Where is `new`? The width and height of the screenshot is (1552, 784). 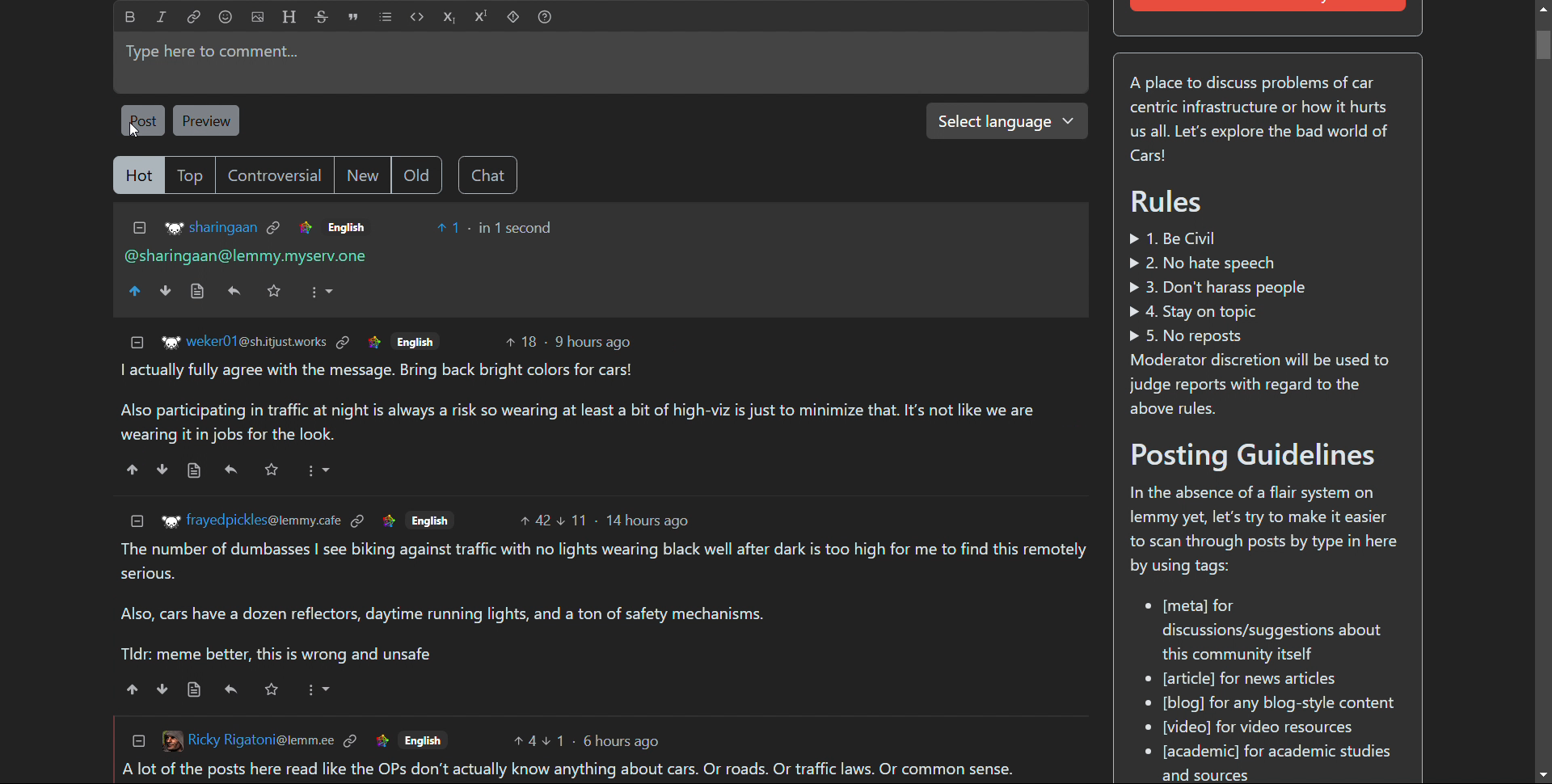 new is located at coordinates (361, 174).